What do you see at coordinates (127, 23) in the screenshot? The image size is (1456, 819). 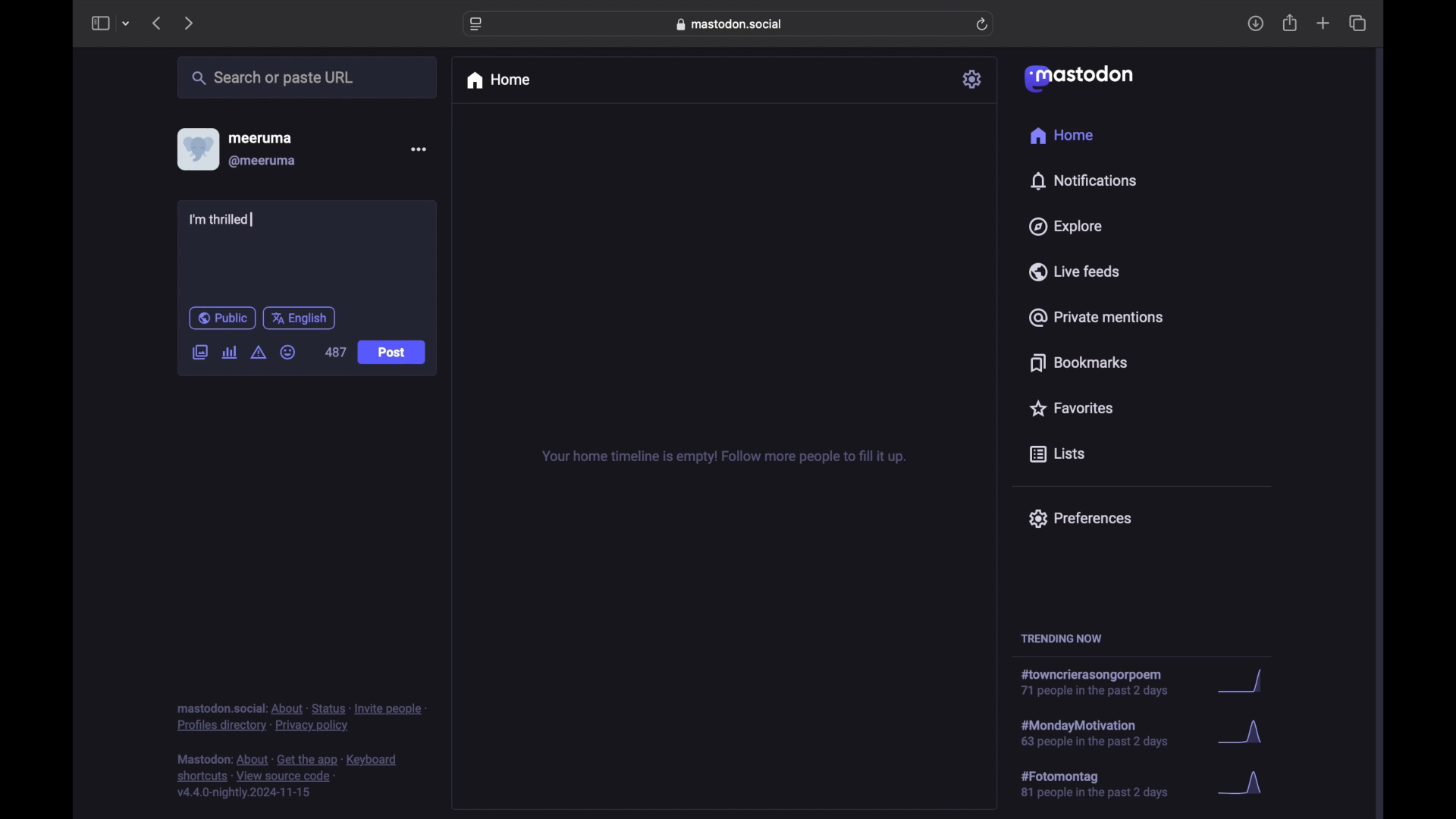 I see `tab group picker` at bounding box center [127, 23].